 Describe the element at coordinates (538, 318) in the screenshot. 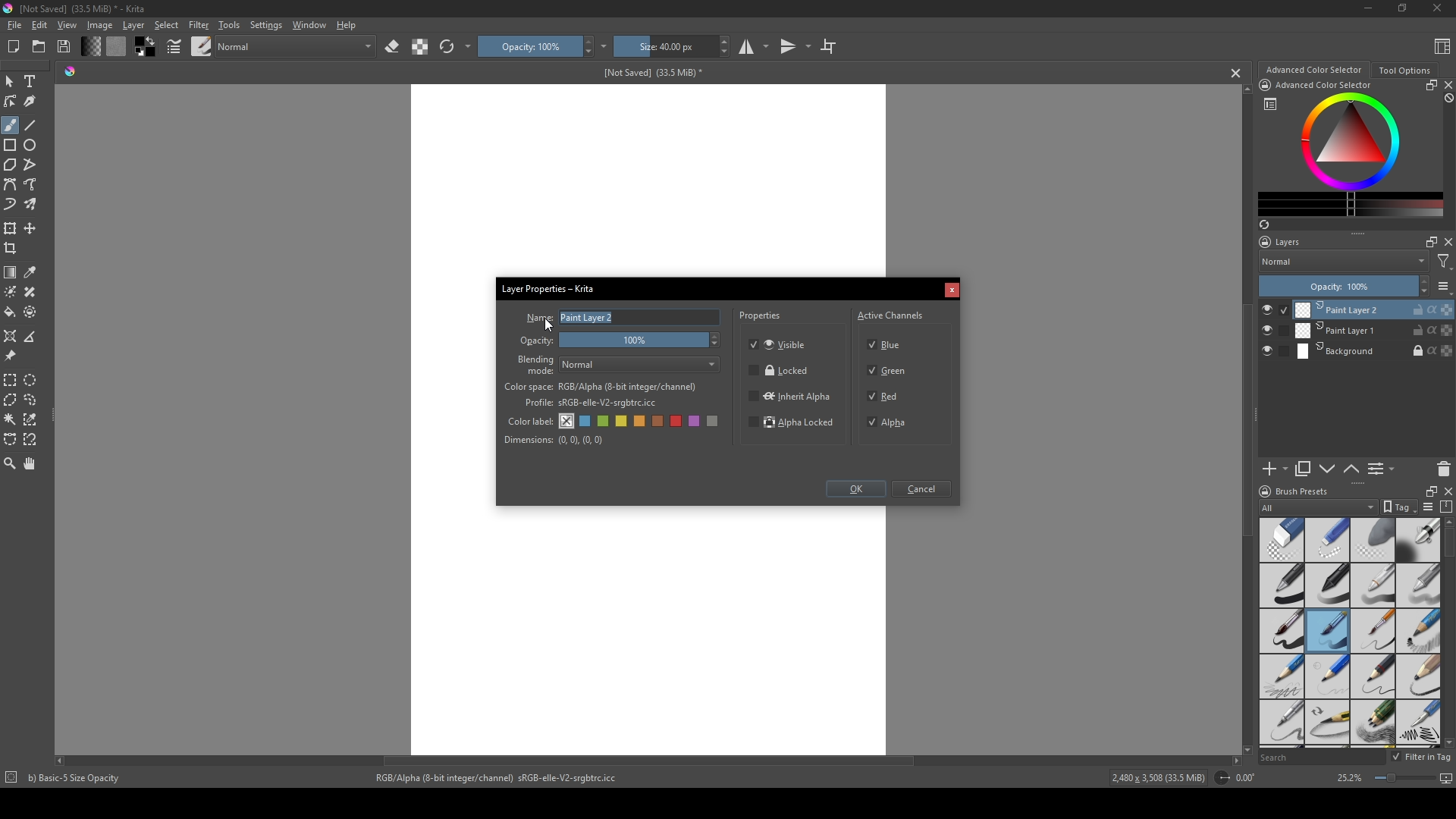

I see `Name:` at that location.